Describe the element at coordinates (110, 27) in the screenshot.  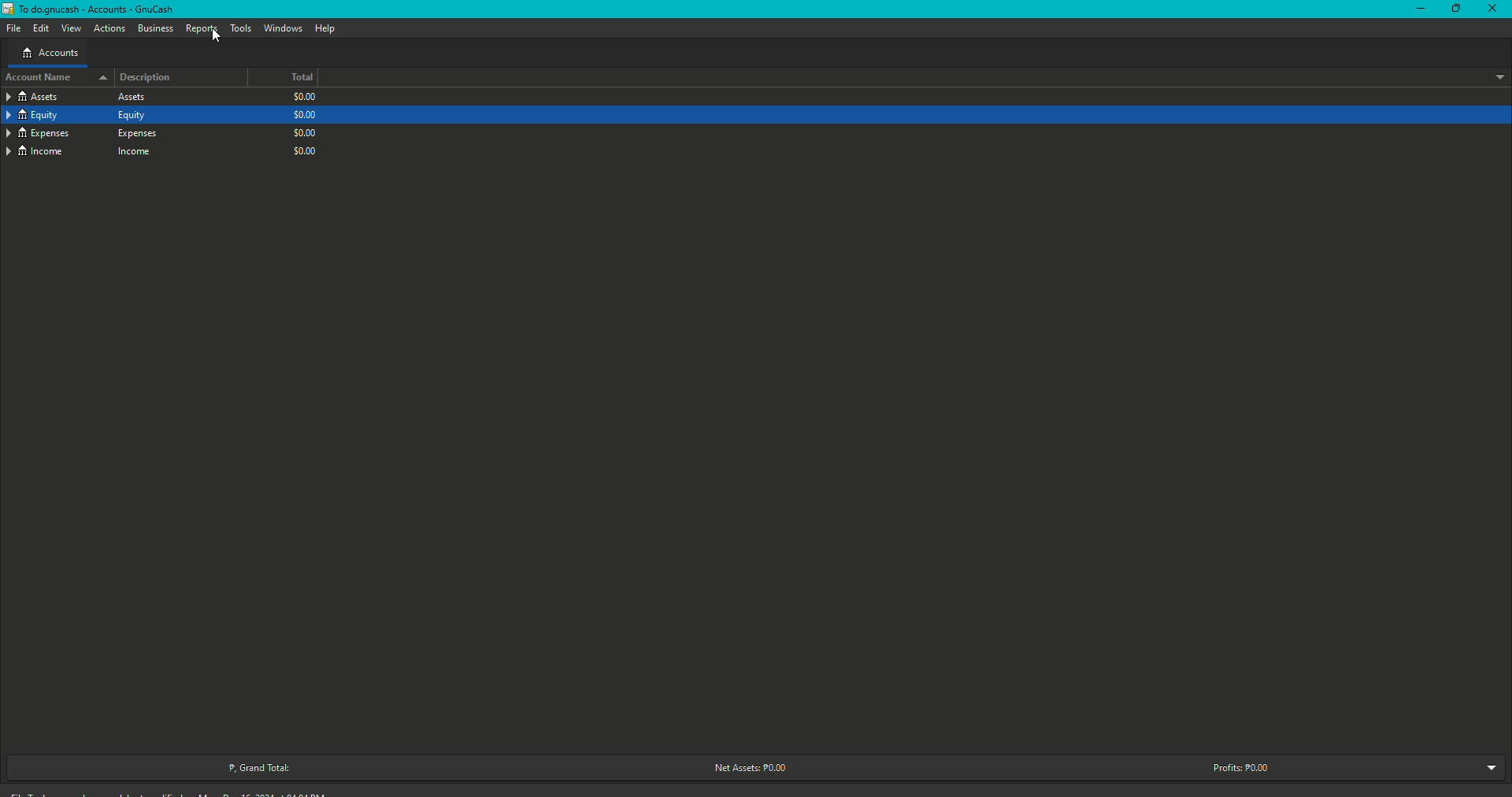
I see `Actions` at that location.